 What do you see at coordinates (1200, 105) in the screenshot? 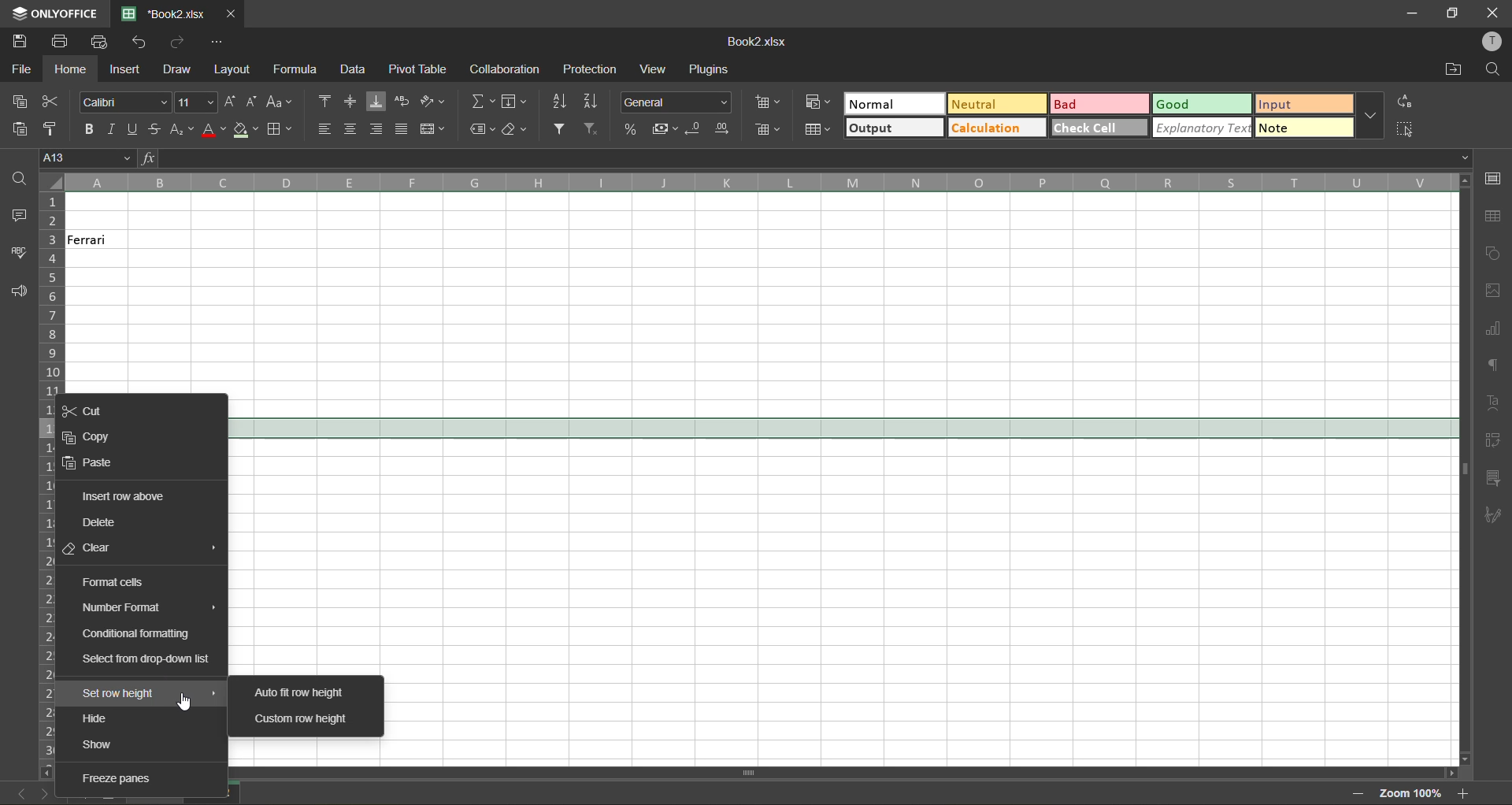
I see `good` at bounding box center [1200, 105].